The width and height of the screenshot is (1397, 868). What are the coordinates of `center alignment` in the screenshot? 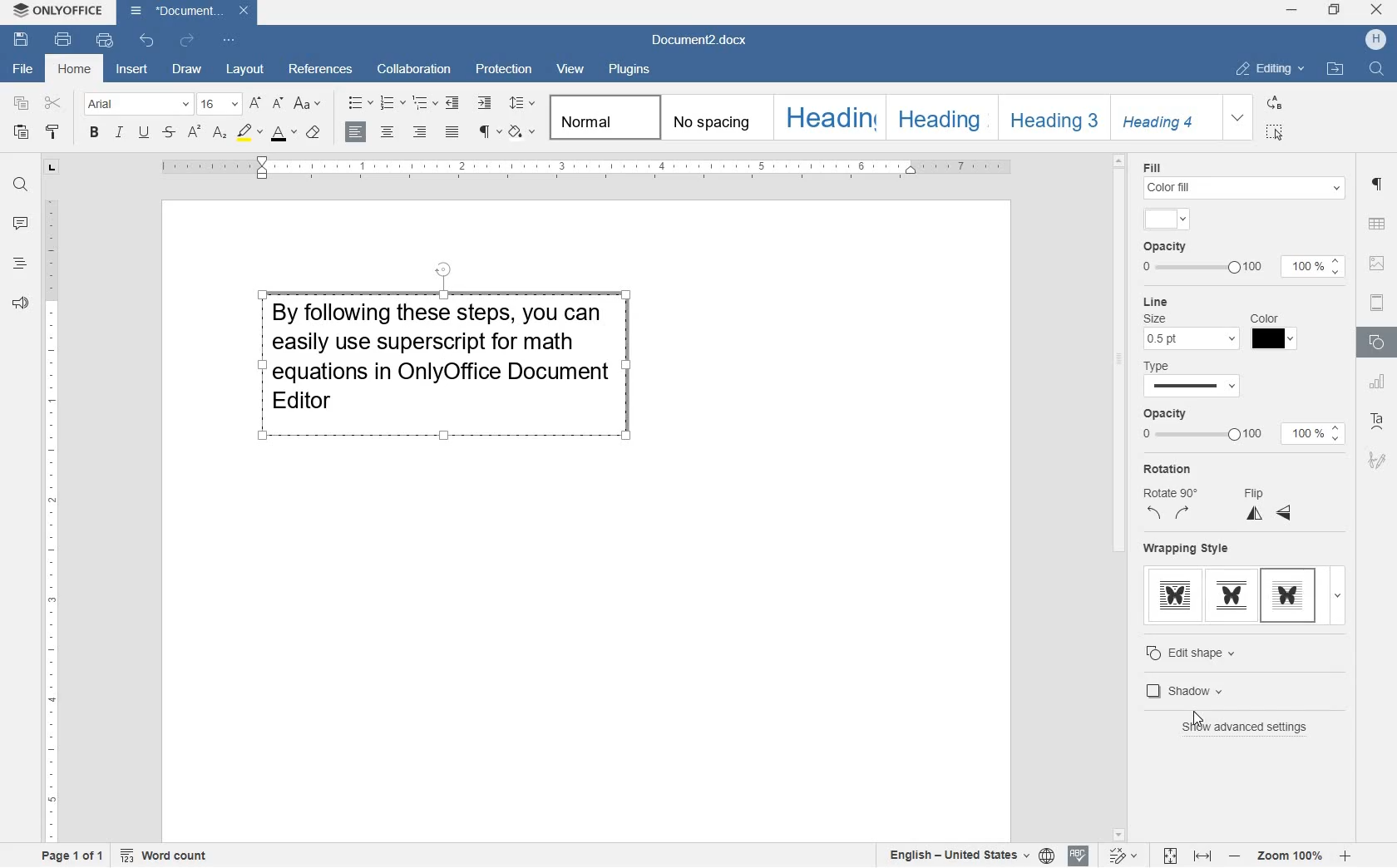 It's located at (388, 133).